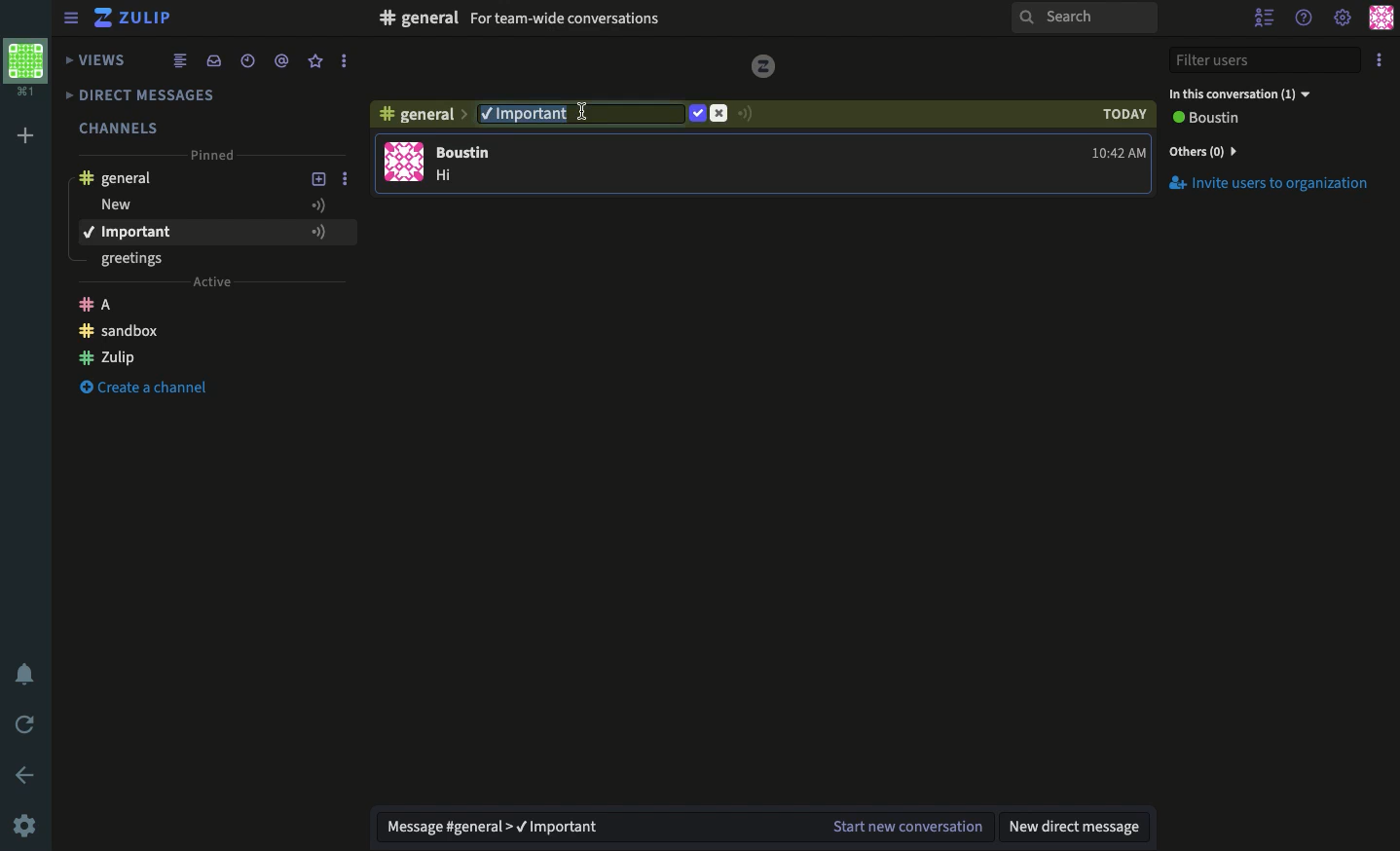 The width and height of the screenshot is (1400, 851). Describe the element at coordinates (406, 163) in the screenshot. I see `user profile` at that location.